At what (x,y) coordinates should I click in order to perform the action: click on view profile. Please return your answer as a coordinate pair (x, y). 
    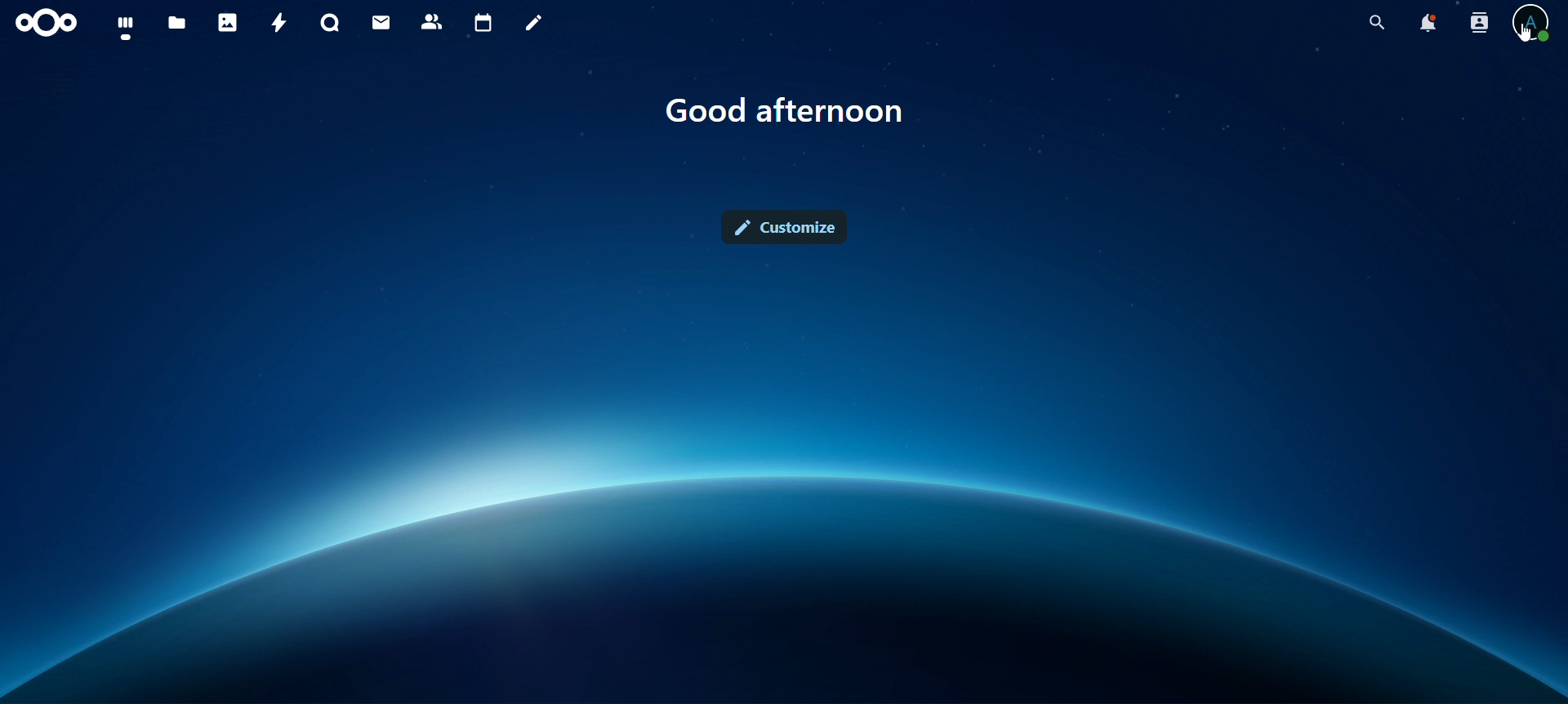
    Looking at the image, I should click on (1534, 25).